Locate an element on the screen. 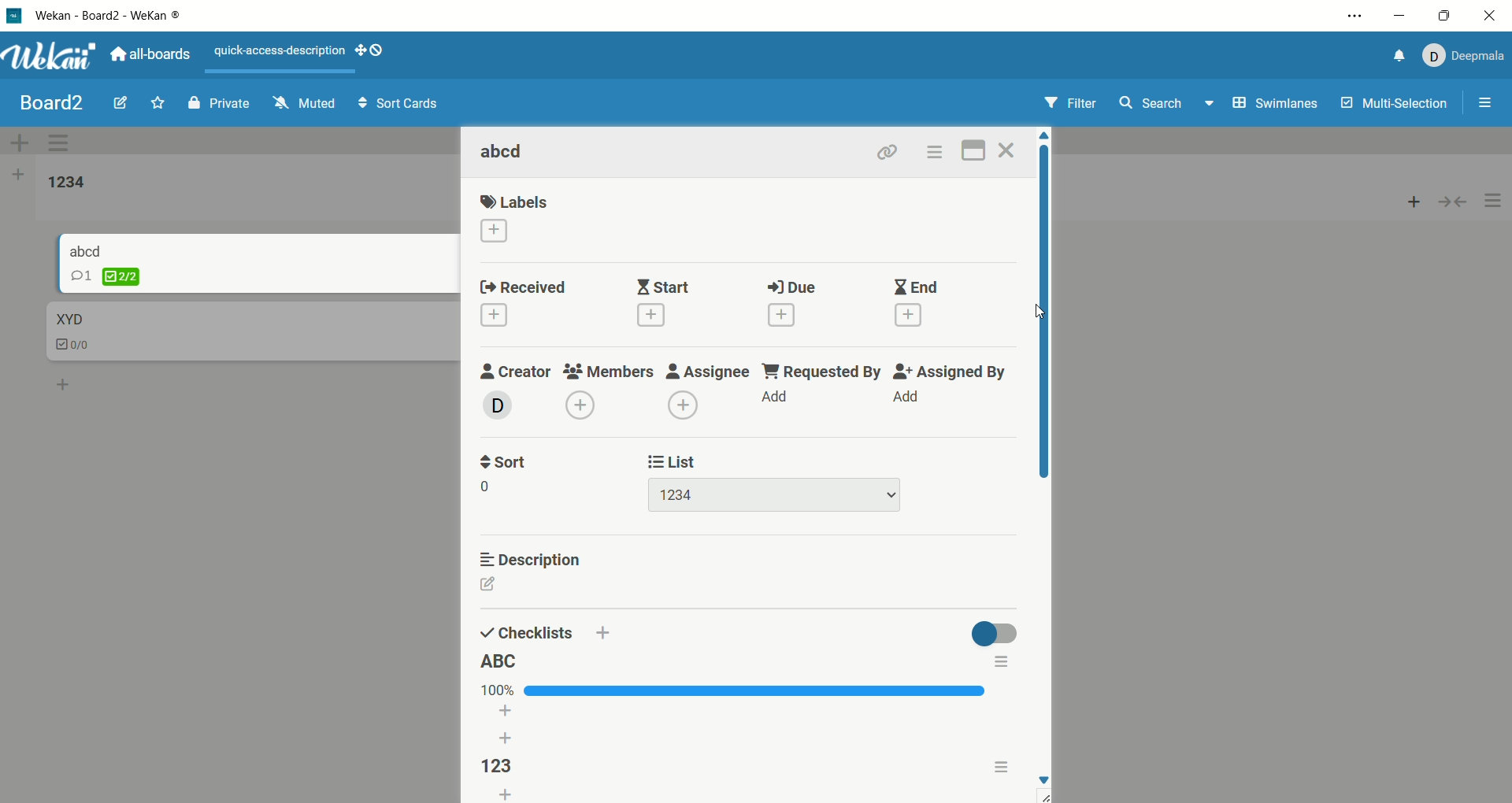 Image resolution: width=1512 pixels, height=803 pixels. close is located at coordinates (1488, 18).